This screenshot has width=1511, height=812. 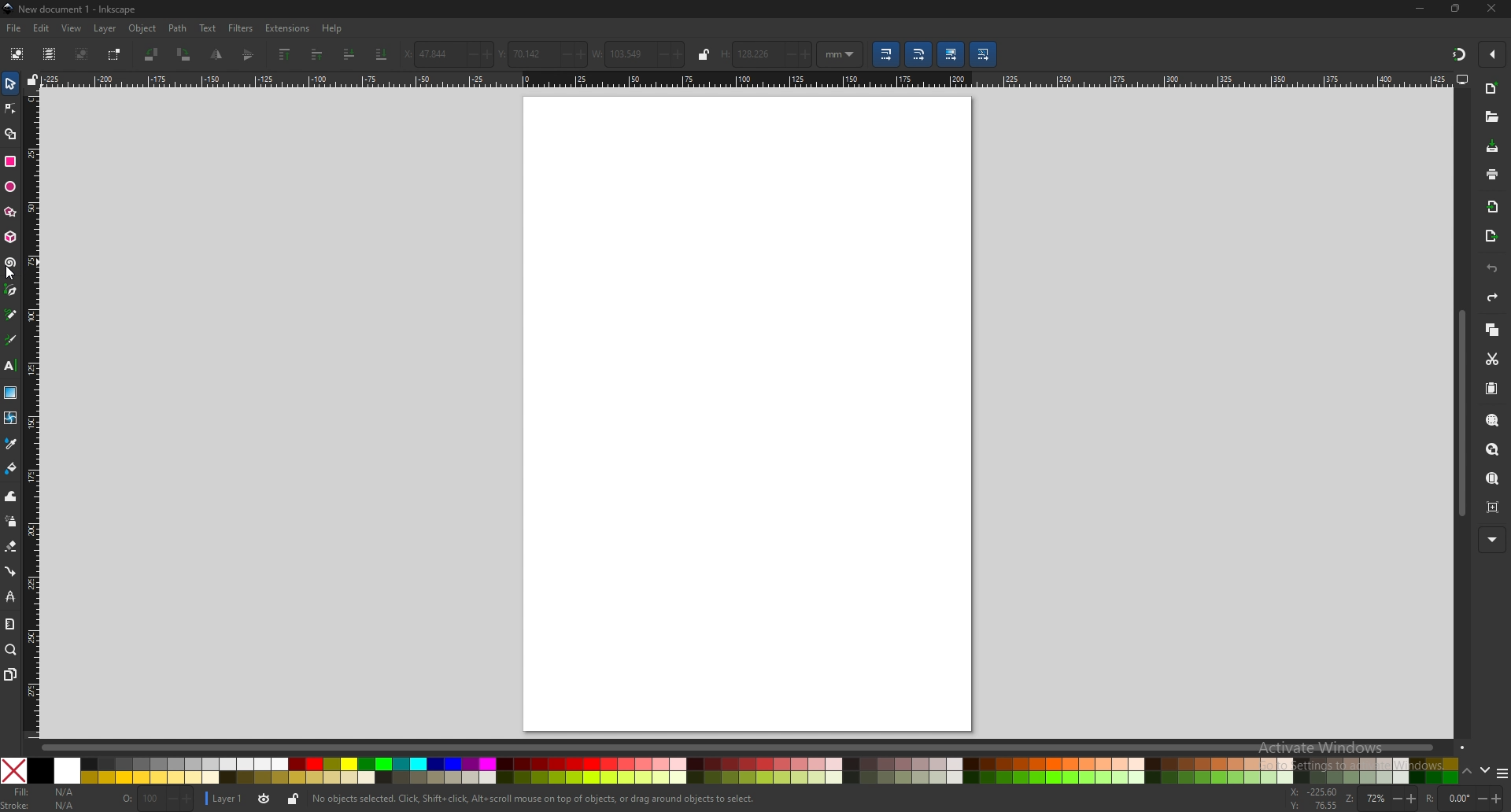 I want to click on scale radii, so click(x=918, y=55).